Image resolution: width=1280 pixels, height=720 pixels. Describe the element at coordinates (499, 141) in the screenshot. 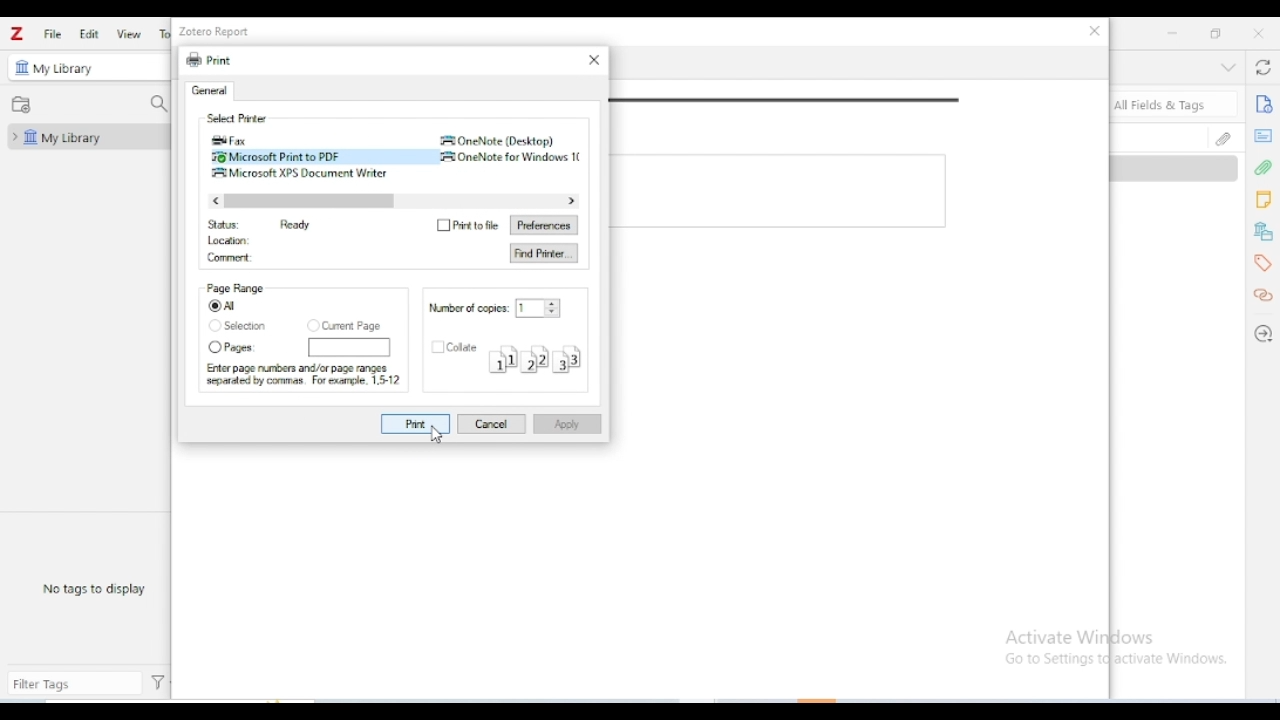

I see `onenote (desktop)` at that location.